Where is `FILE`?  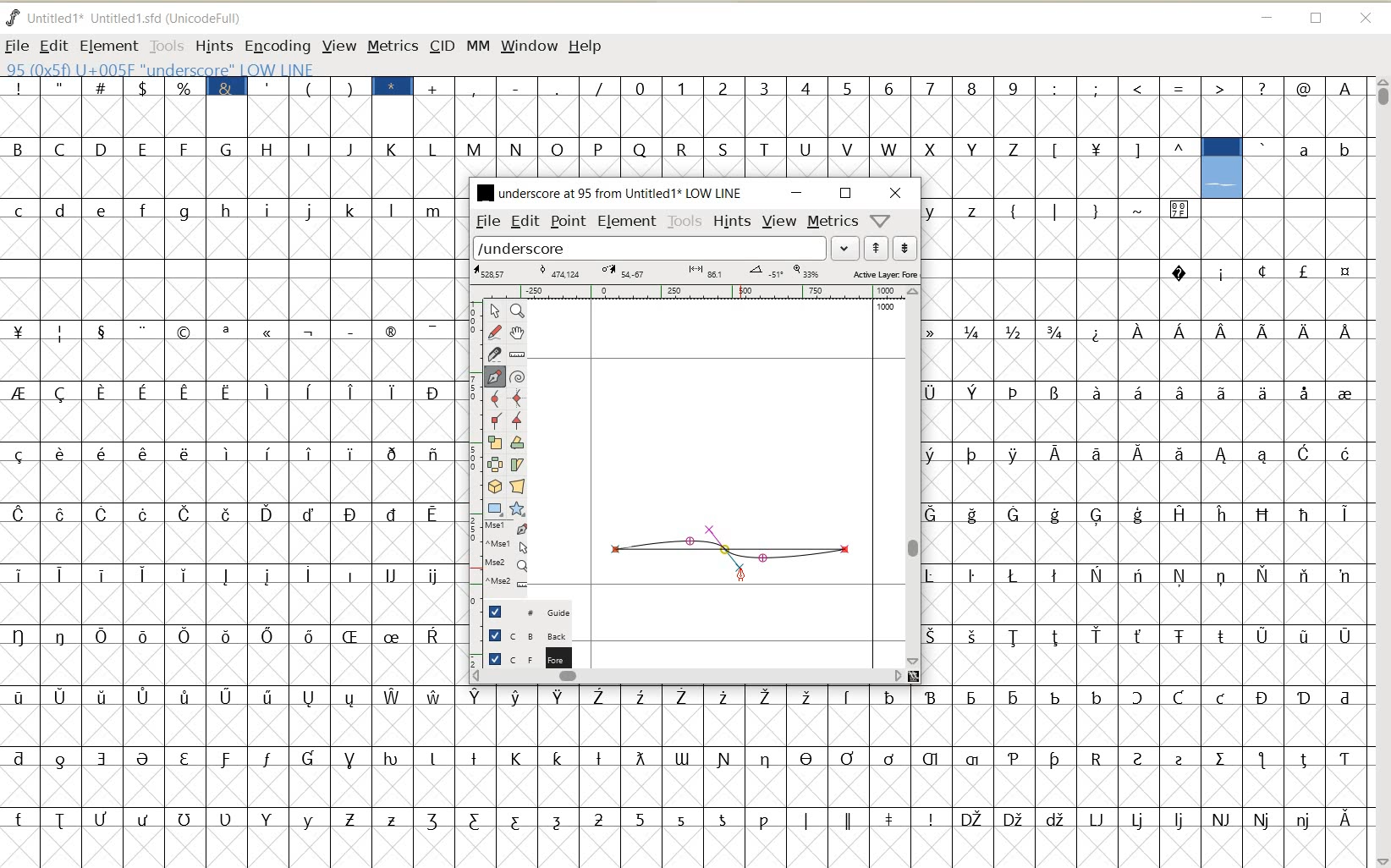
FILE is located at coordinates (487, 222).